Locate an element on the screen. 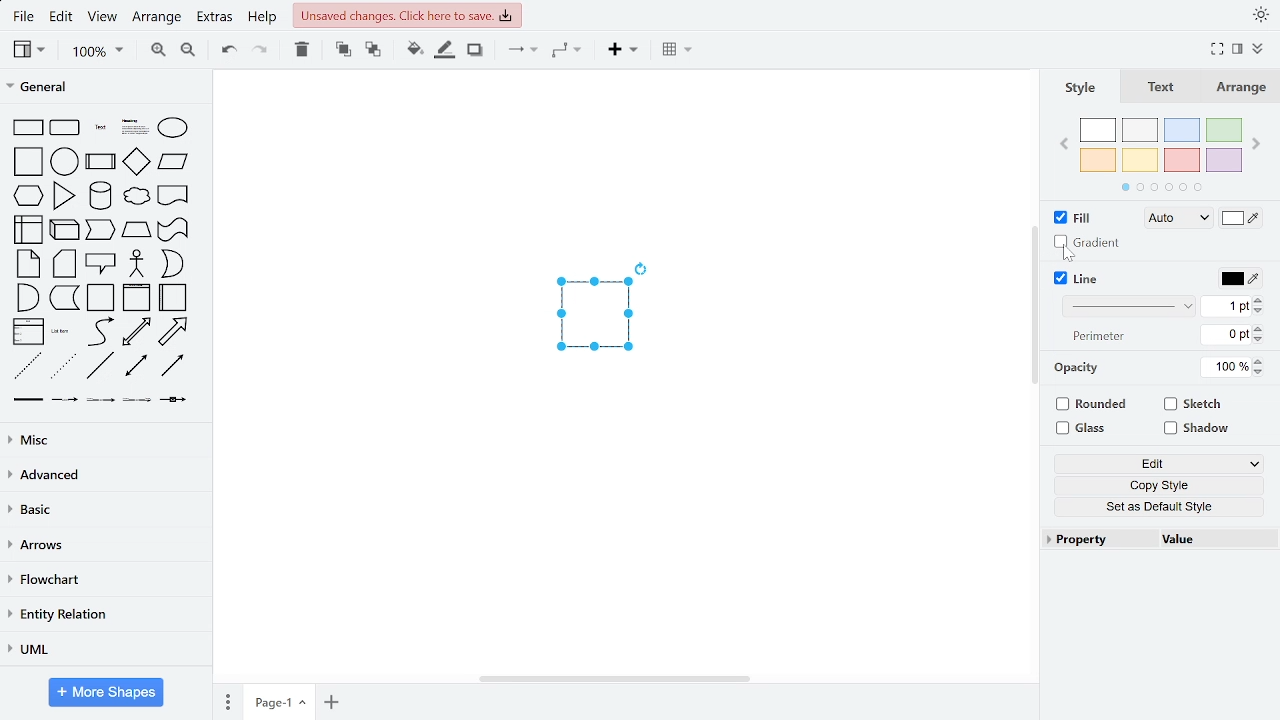 The height and width of the screenshot is (720, 1280). to back is located at coordinates (372, 51).